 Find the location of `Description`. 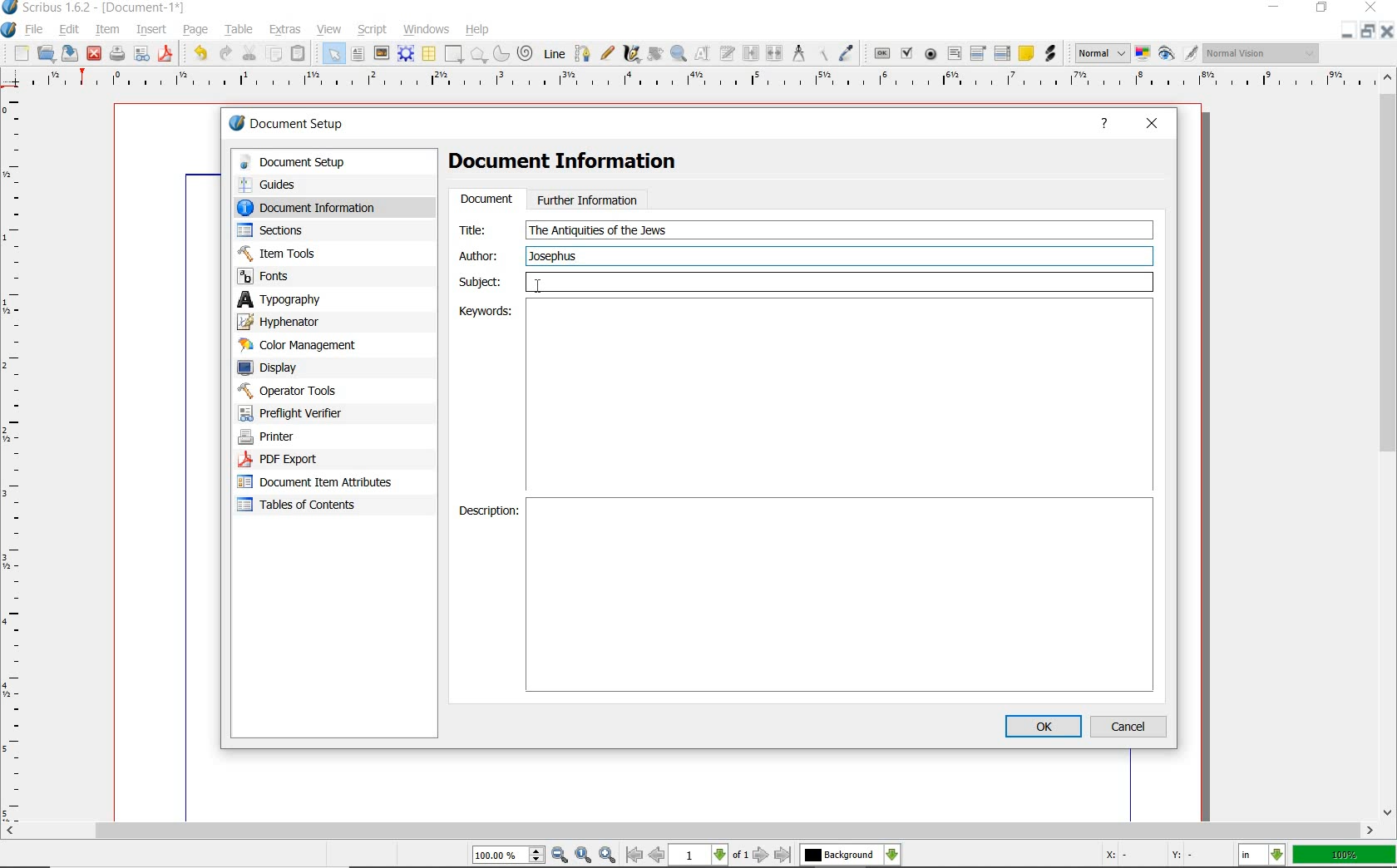

Description is located at coordinates (488, 513).